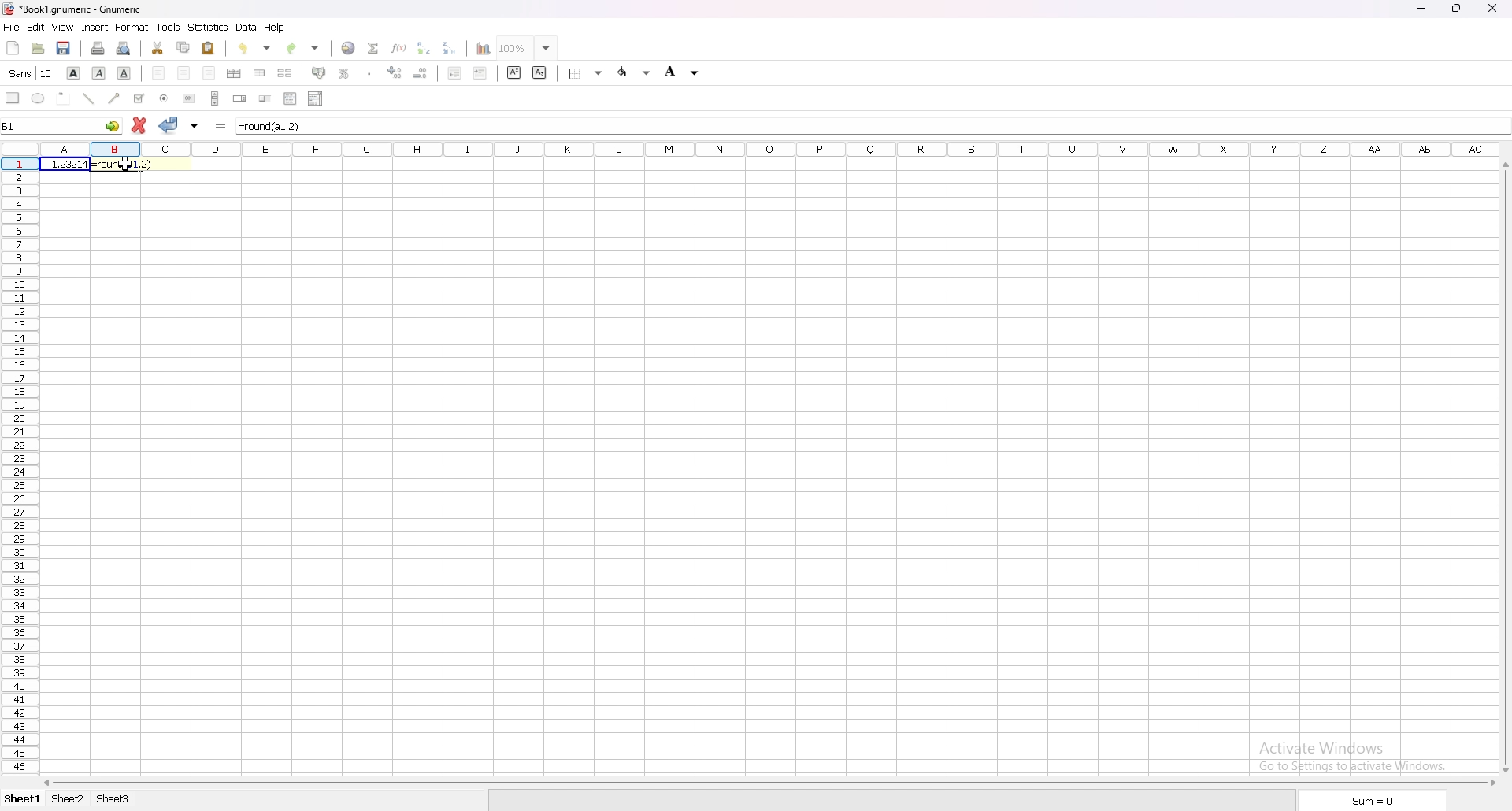  I want to click on centre horizontally, so click(235, 73).